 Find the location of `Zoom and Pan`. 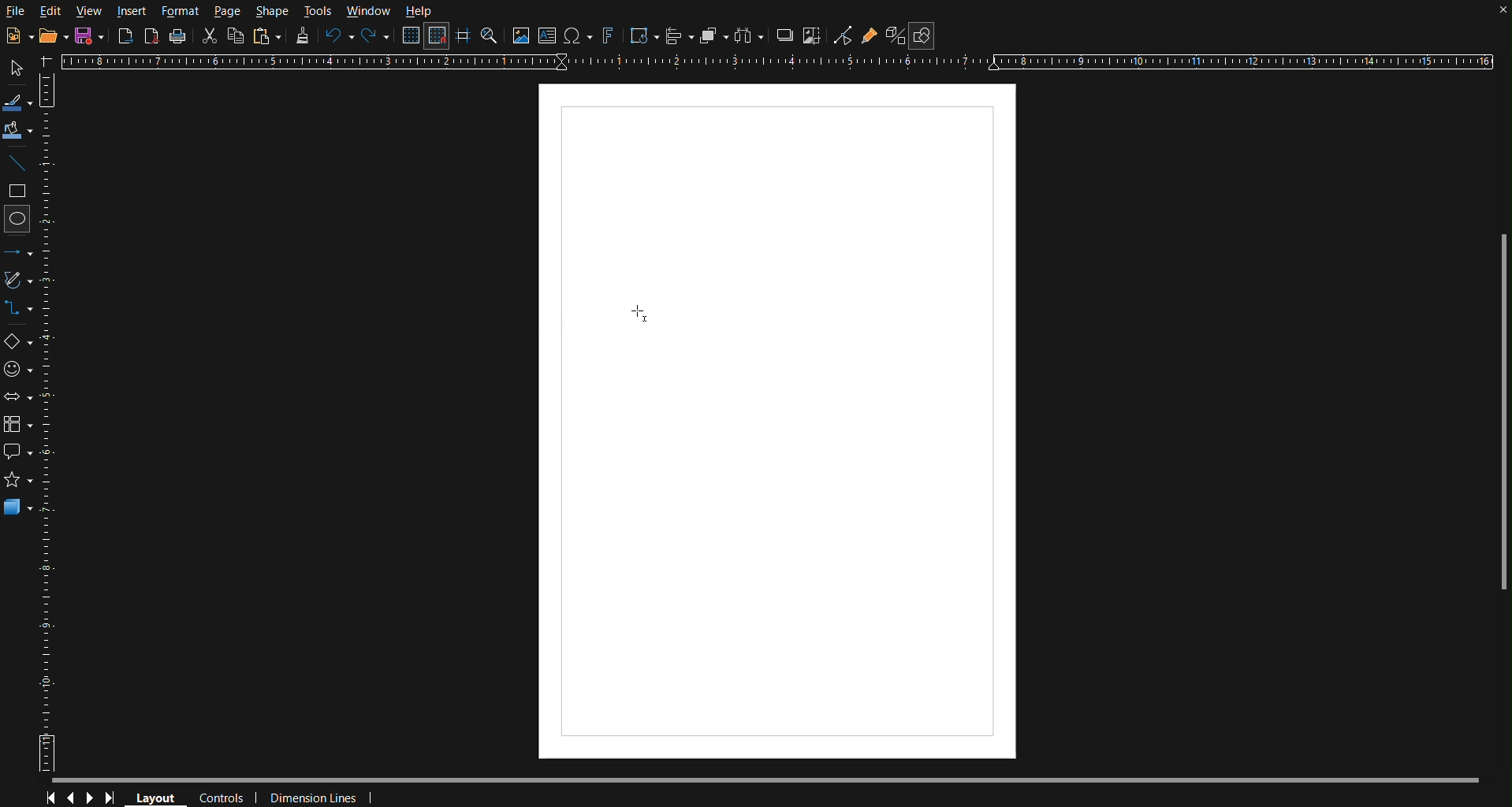

Zoom and Pan is located at coordinates (490, 38).